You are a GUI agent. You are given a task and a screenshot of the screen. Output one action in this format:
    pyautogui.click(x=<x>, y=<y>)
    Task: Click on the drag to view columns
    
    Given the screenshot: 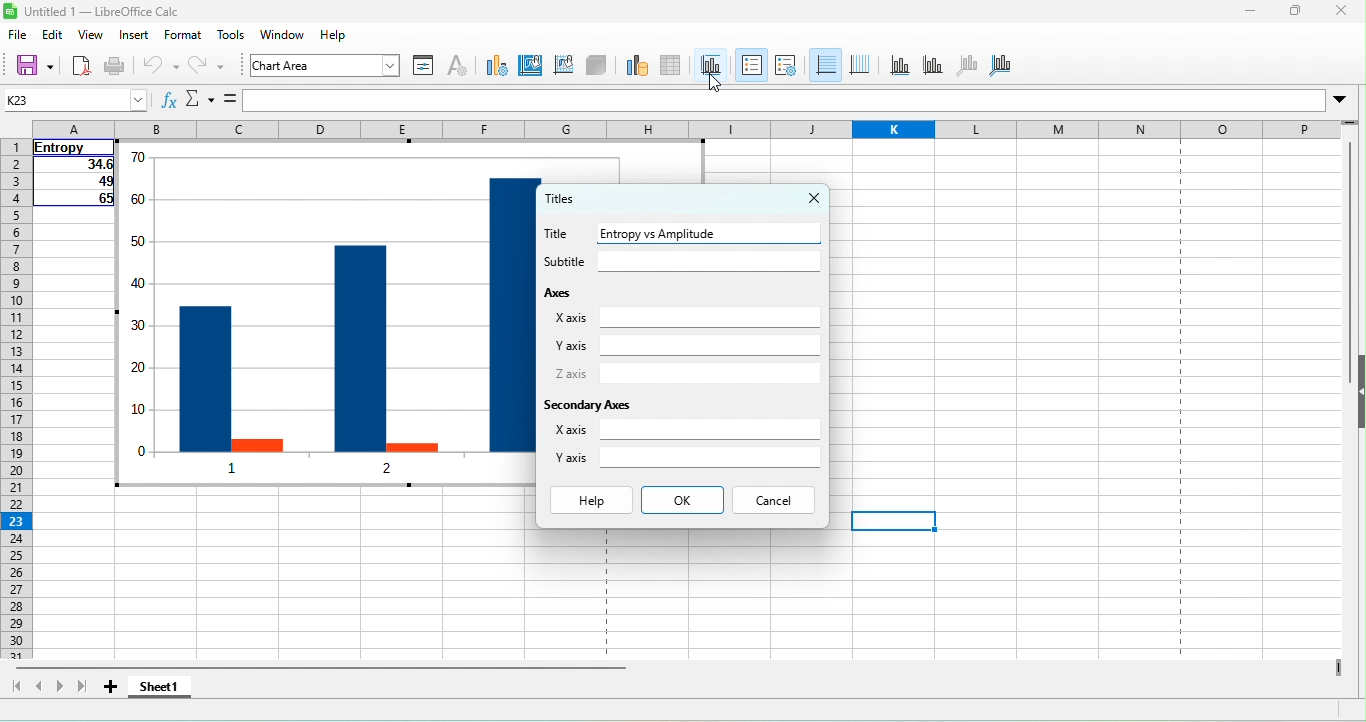 What is the action you would take?
    pyautogui.click(x=1335, y=666)
    